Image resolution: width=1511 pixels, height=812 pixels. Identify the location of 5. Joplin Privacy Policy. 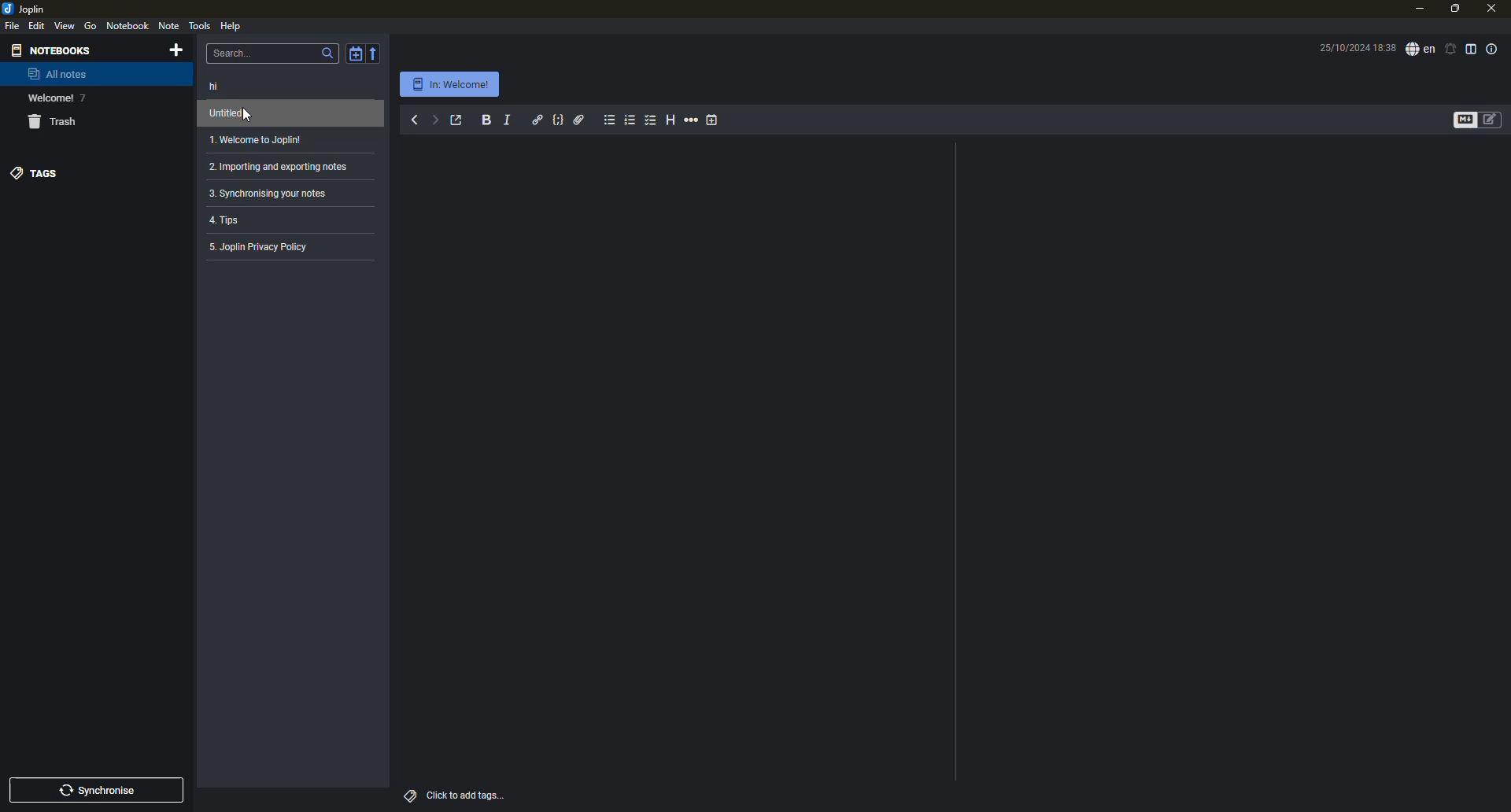
(263, 250).